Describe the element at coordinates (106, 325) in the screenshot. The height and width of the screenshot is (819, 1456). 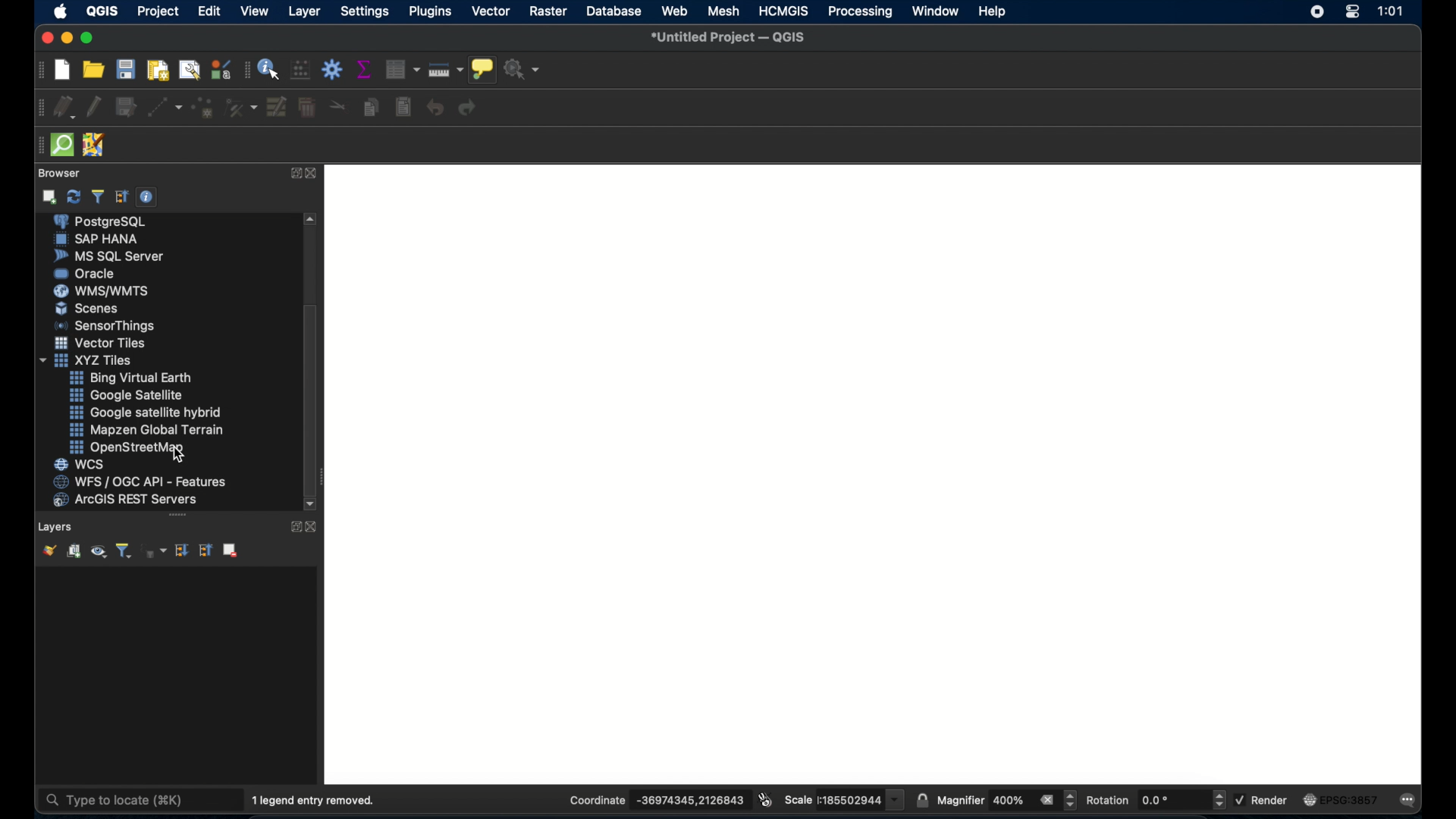
I see `sensor things` at that location.